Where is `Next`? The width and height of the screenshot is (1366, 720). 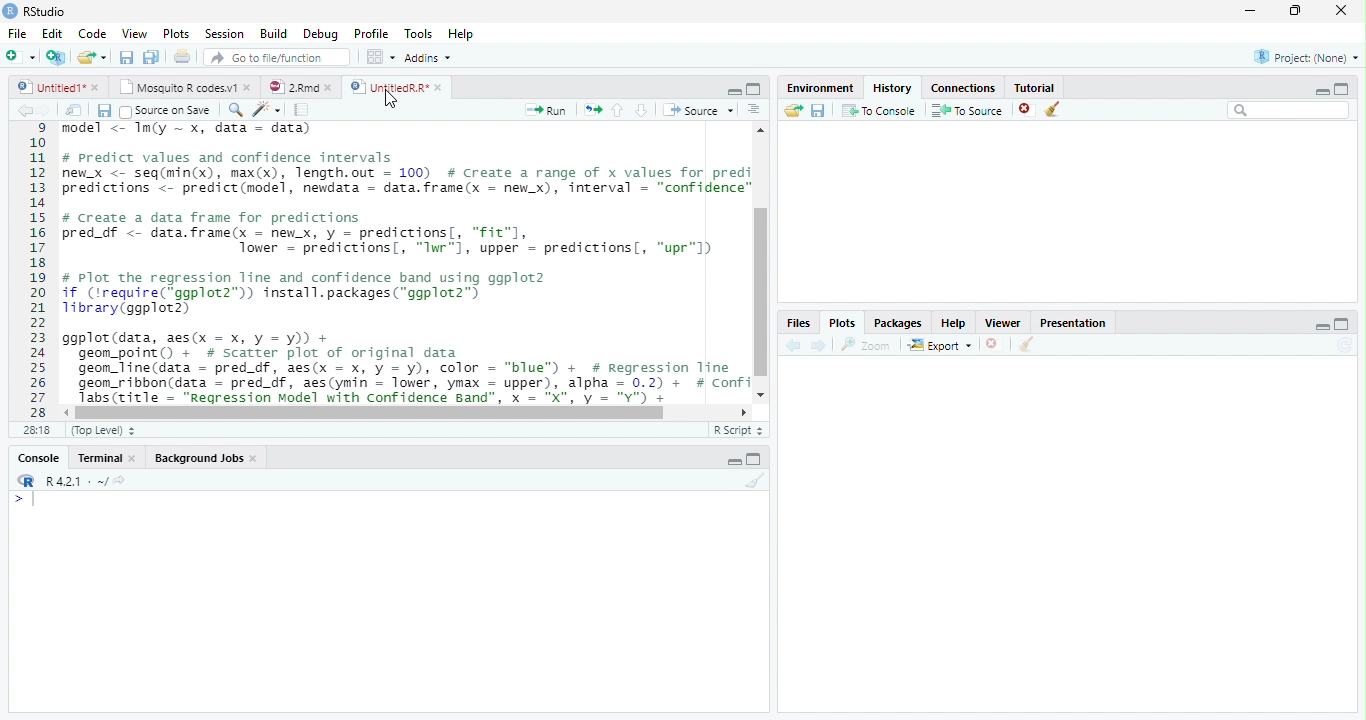 Next is located at coordinates (818, 347).